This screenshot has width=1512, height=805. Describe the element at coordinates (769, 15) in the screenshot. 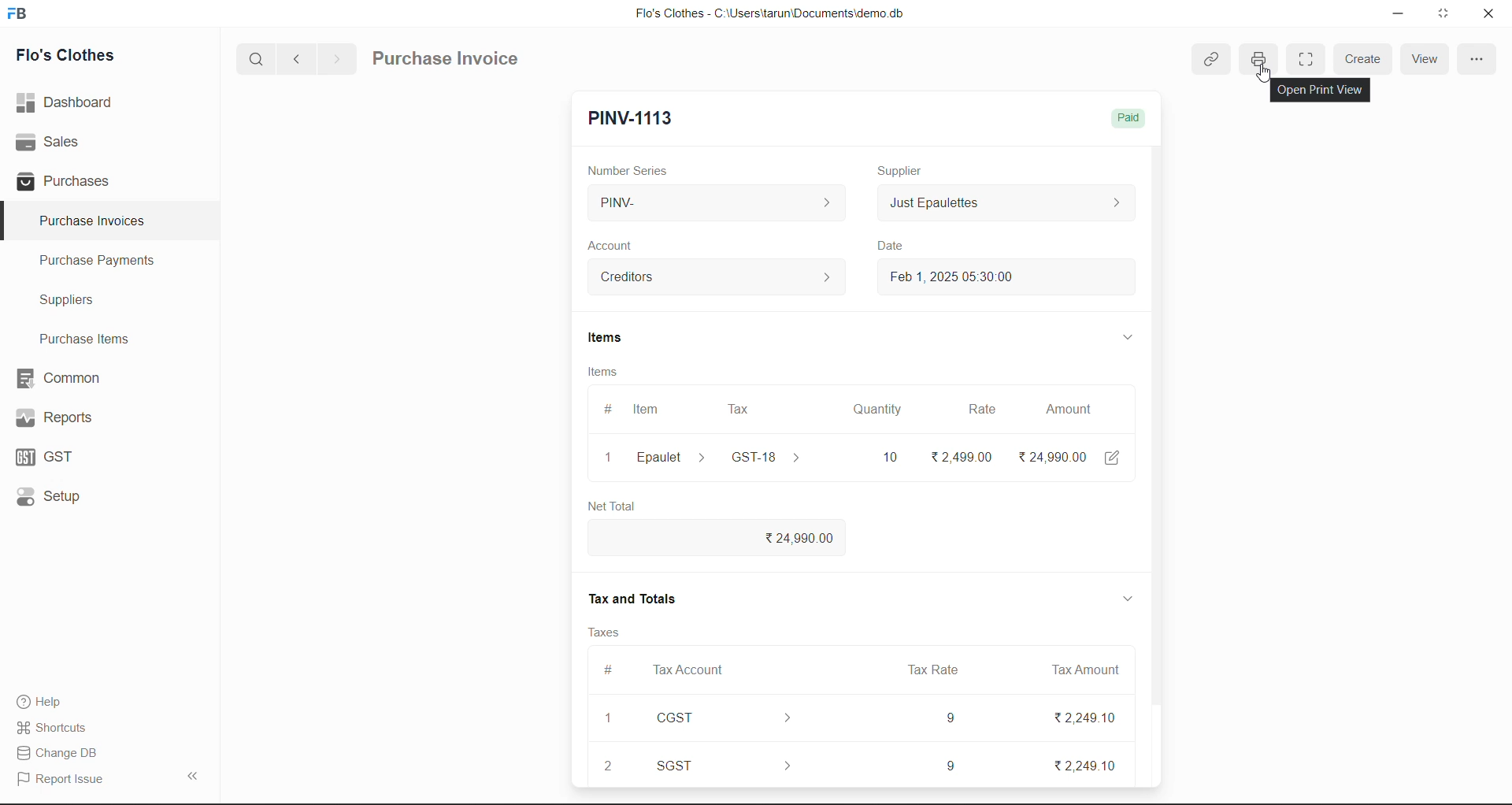

I see `Flo's Clothes - C:\Users\tarun\Documents\demo.db` at that location.